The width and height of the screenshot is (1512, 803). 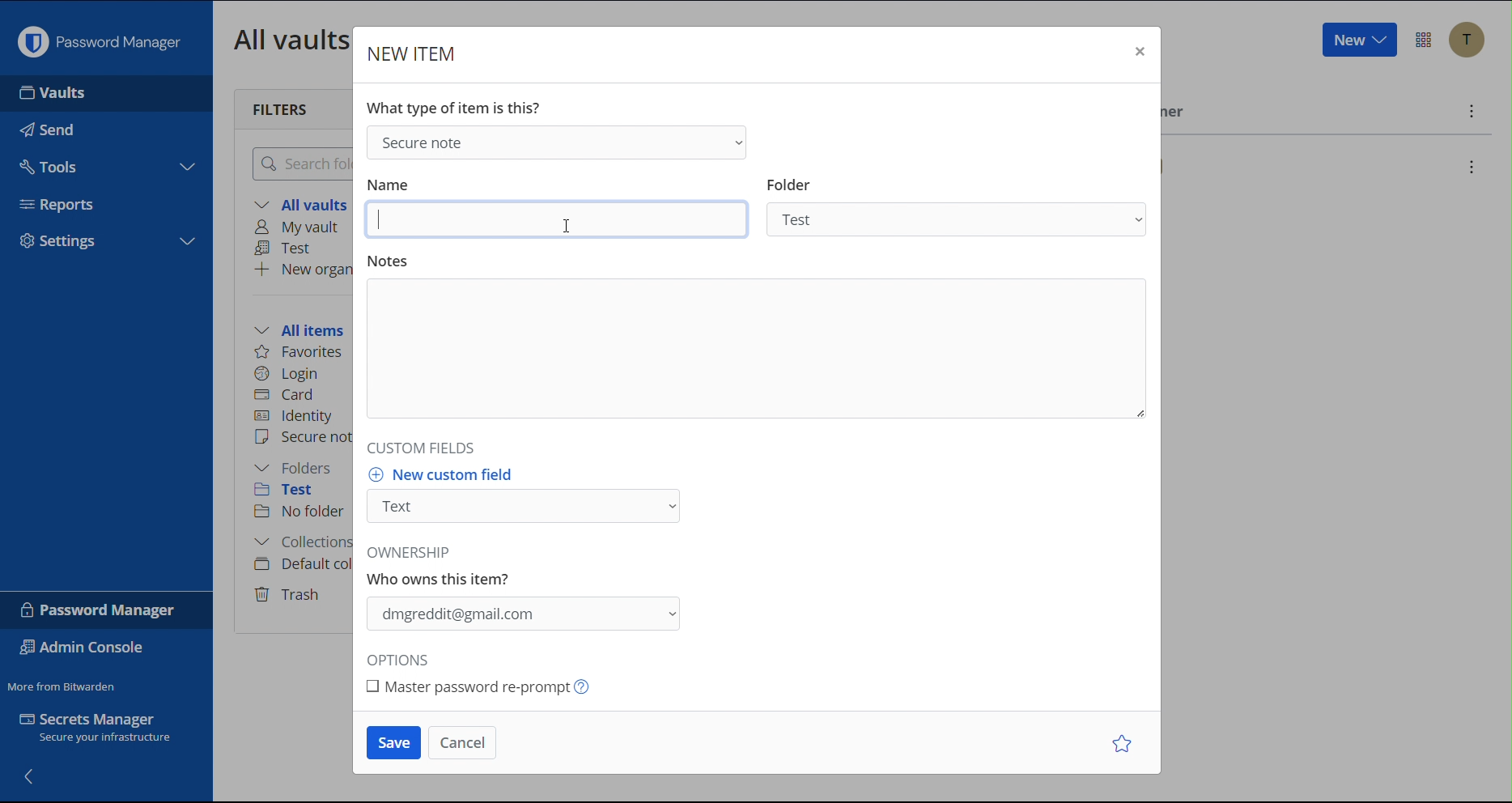 What do you see at coordinates (50, 163) in the screenshot?
I see `Tools` at bounding box center [50, 163].